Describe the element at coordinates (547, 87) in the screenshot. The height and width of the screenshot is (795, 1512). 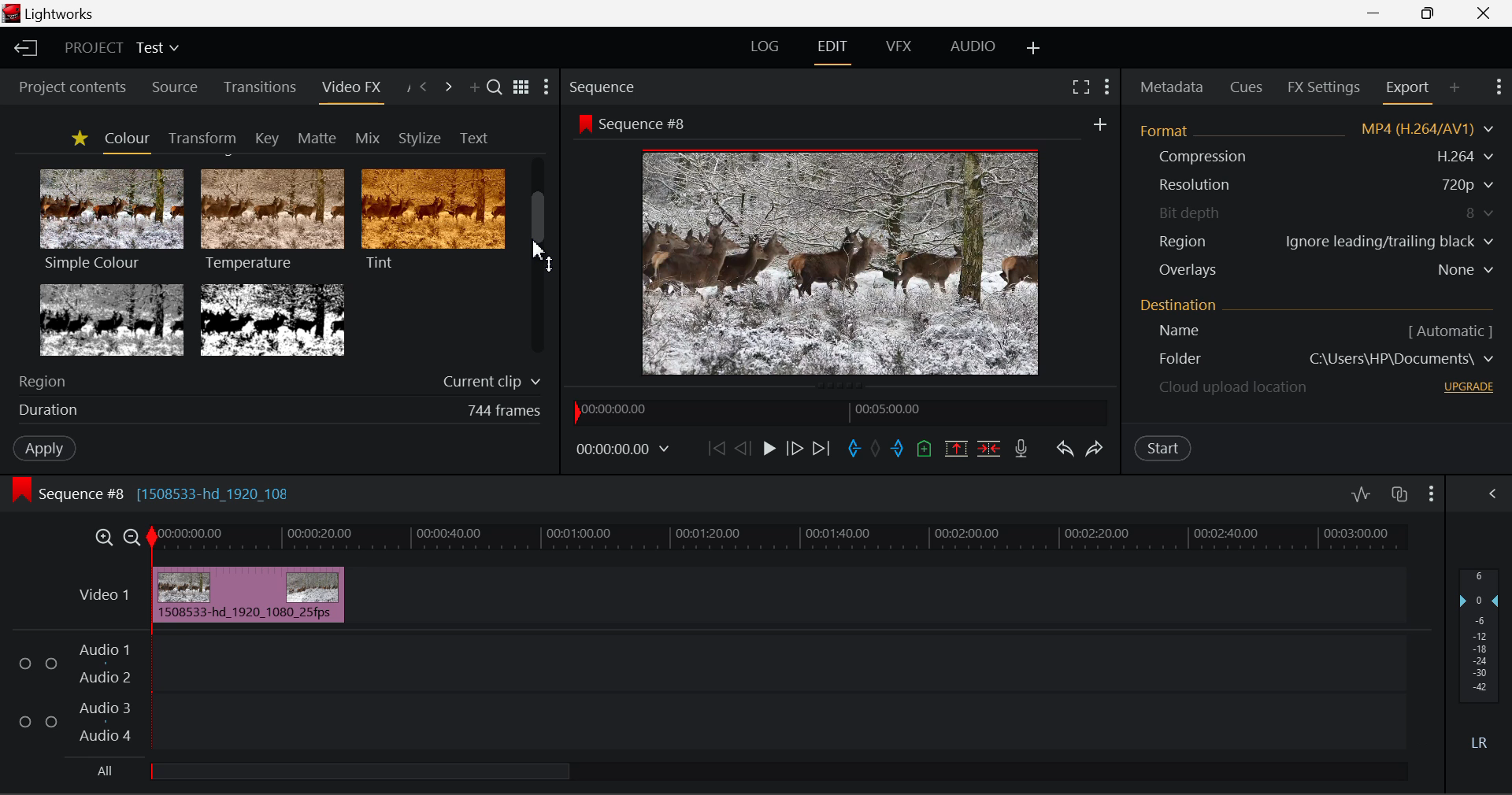
I see `Show Settings` at that location.